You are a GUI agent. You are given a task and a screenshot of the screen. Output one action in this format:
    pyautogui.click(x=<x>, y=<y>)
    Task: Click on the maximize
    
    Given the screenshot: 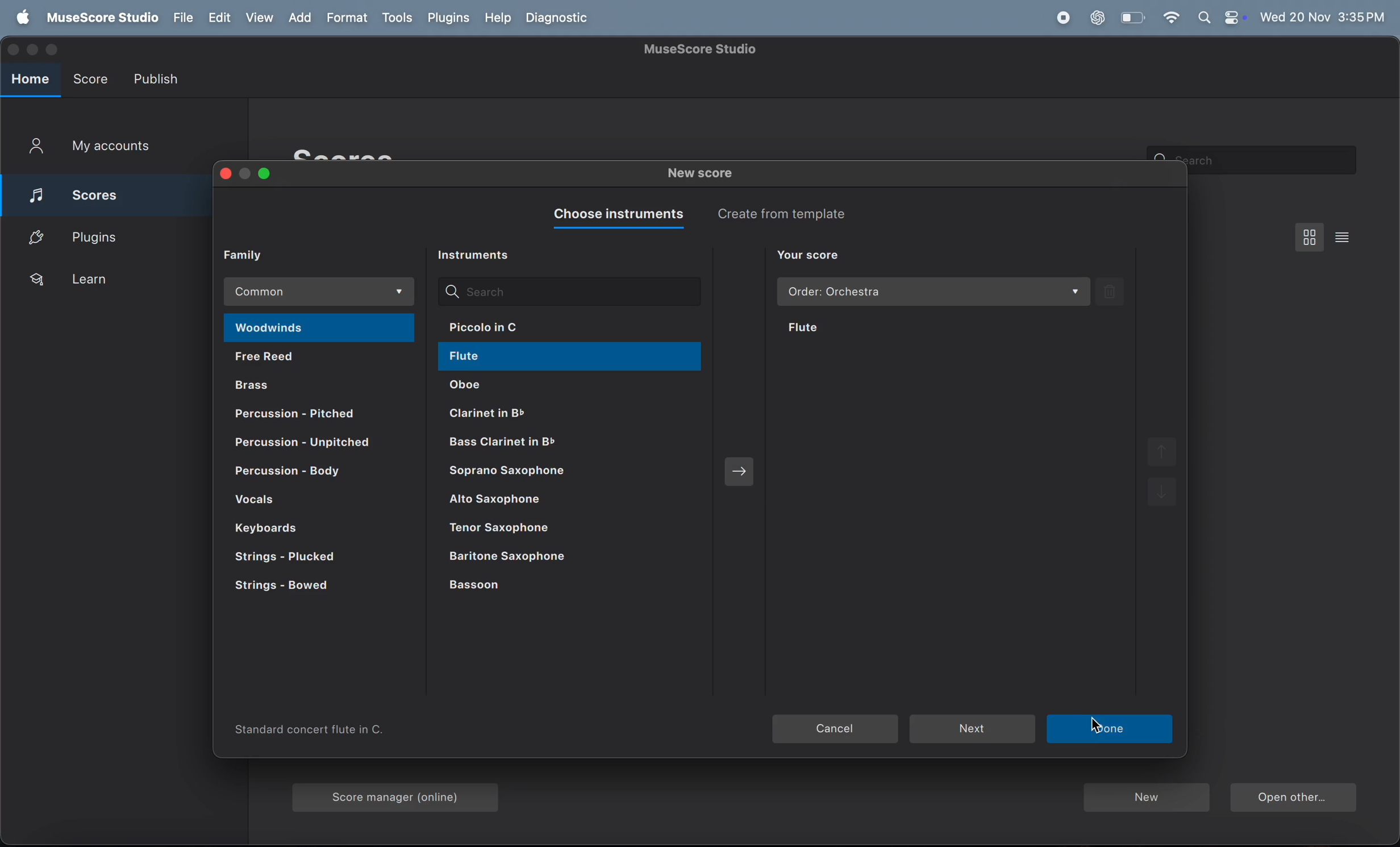 What is the action you would take?
    pyautogui.click(x=53, y=48)
    